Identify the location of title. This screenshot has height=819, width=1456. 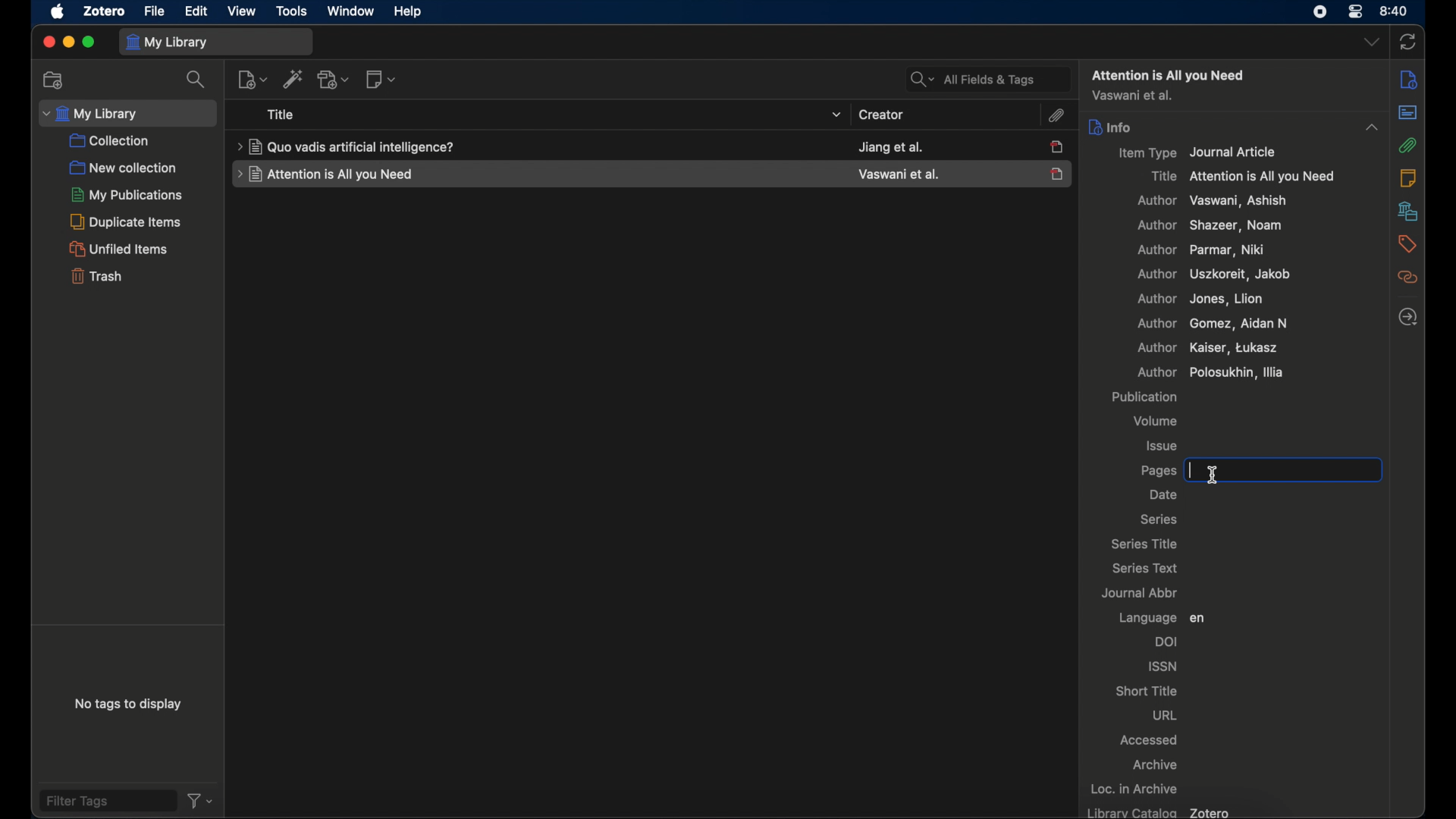
(281, 115).